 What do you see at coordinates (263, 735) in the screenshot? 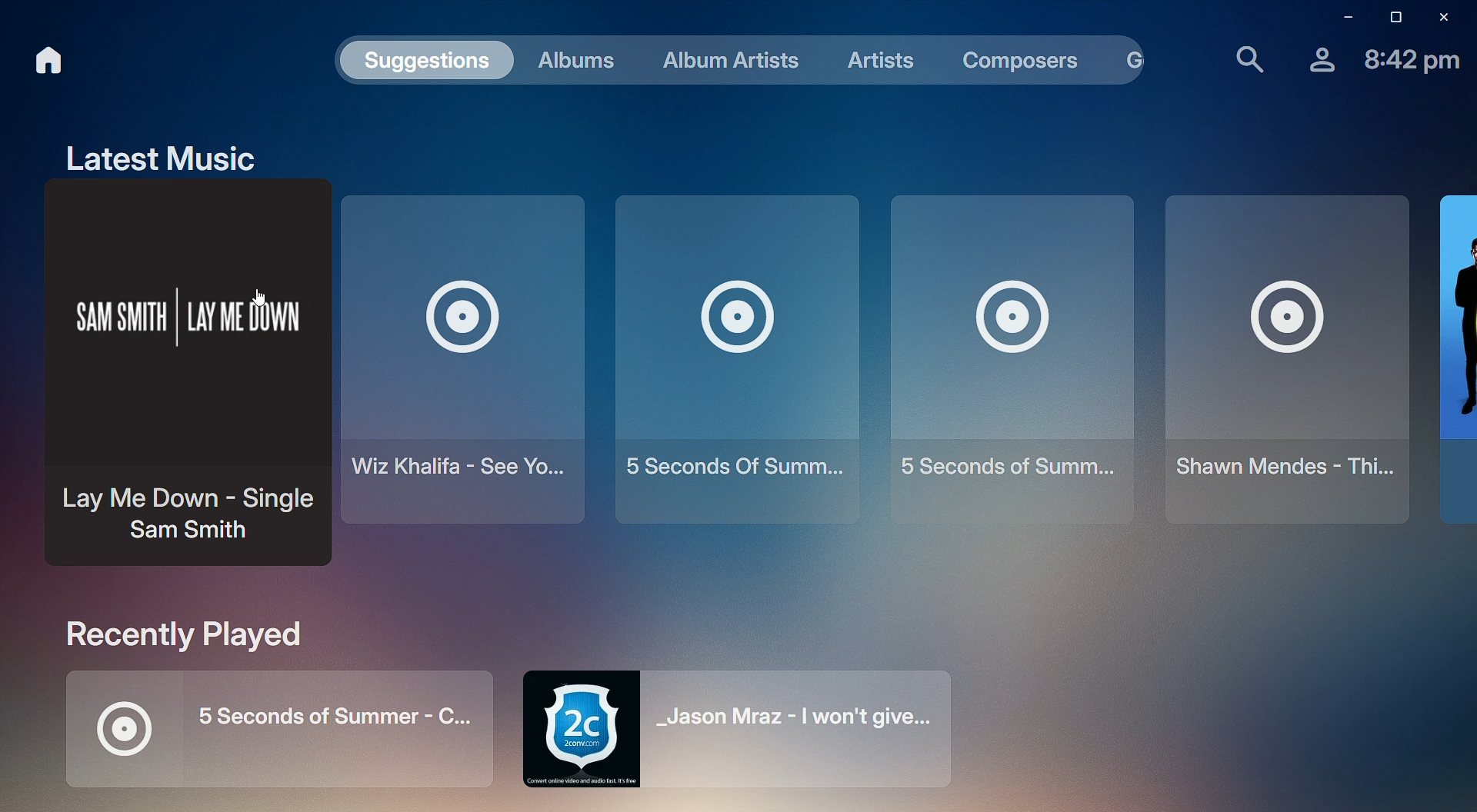
I see `5 seconds of summer` at bounding box center [263, 735].